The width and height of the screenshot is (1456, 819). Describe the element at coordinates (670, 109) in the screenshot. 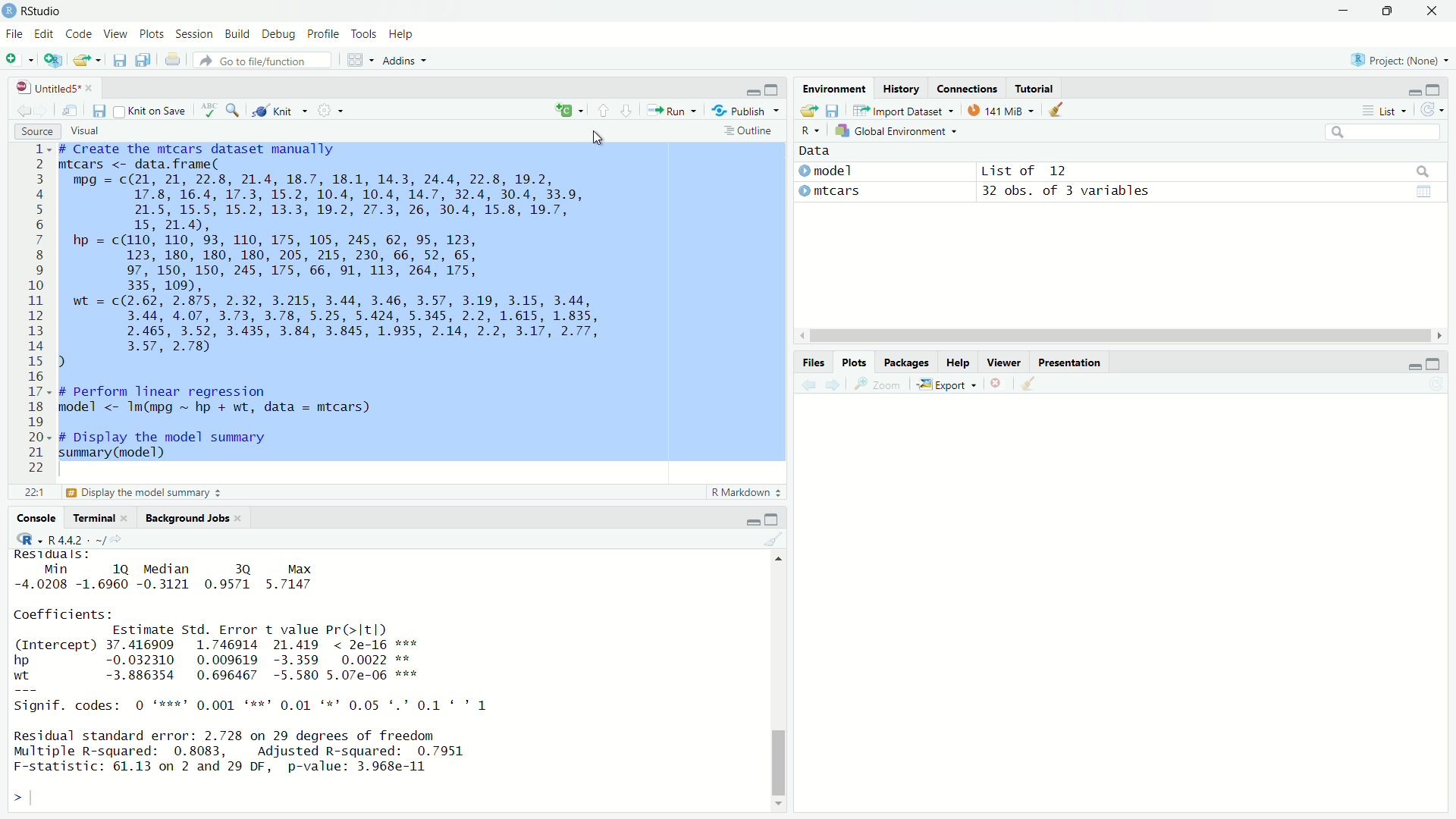

I see `Run` at that location.